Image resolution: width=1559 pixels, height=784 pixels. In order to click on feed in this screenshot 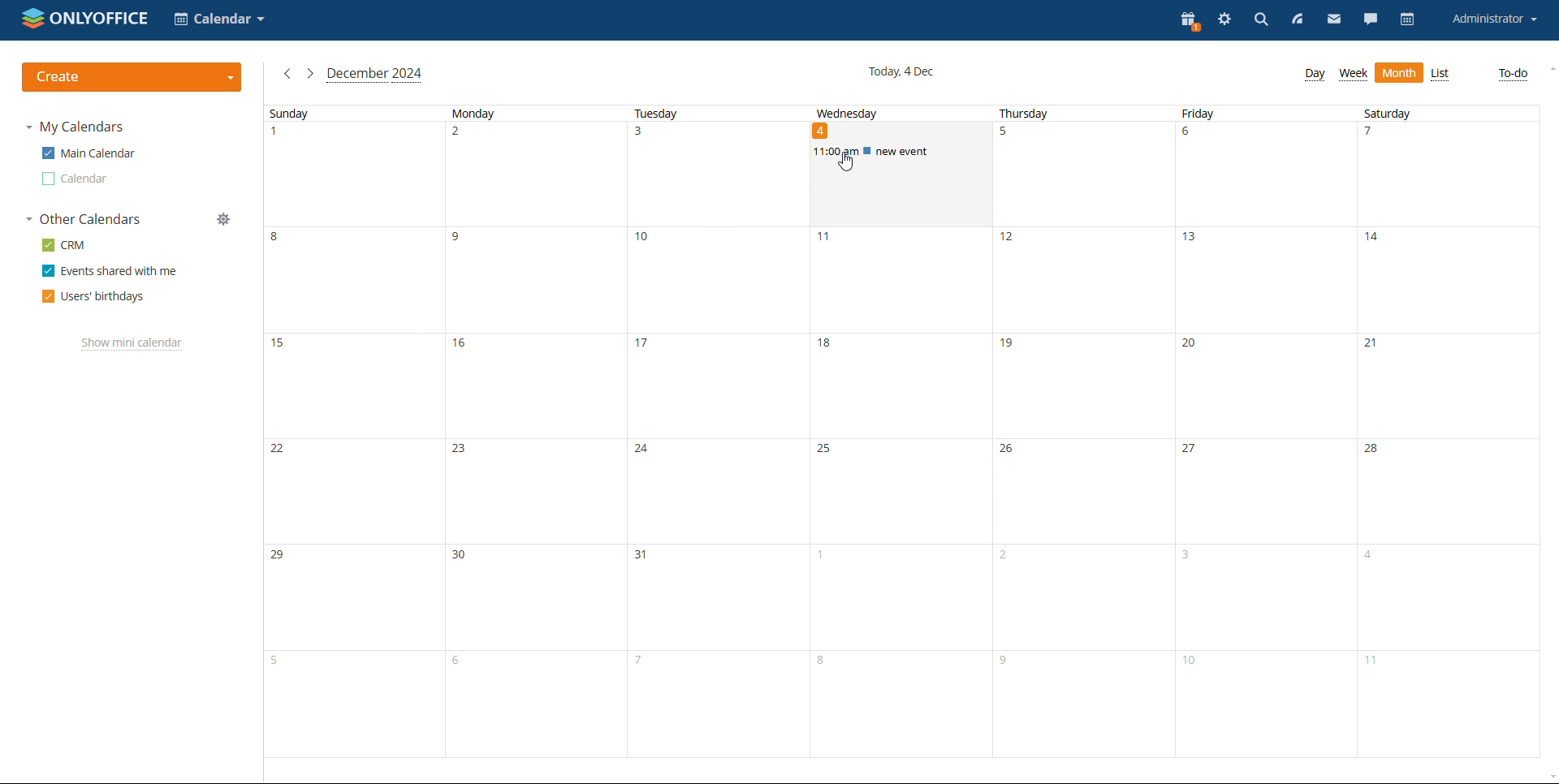, I will do `click(1298, 20)`.